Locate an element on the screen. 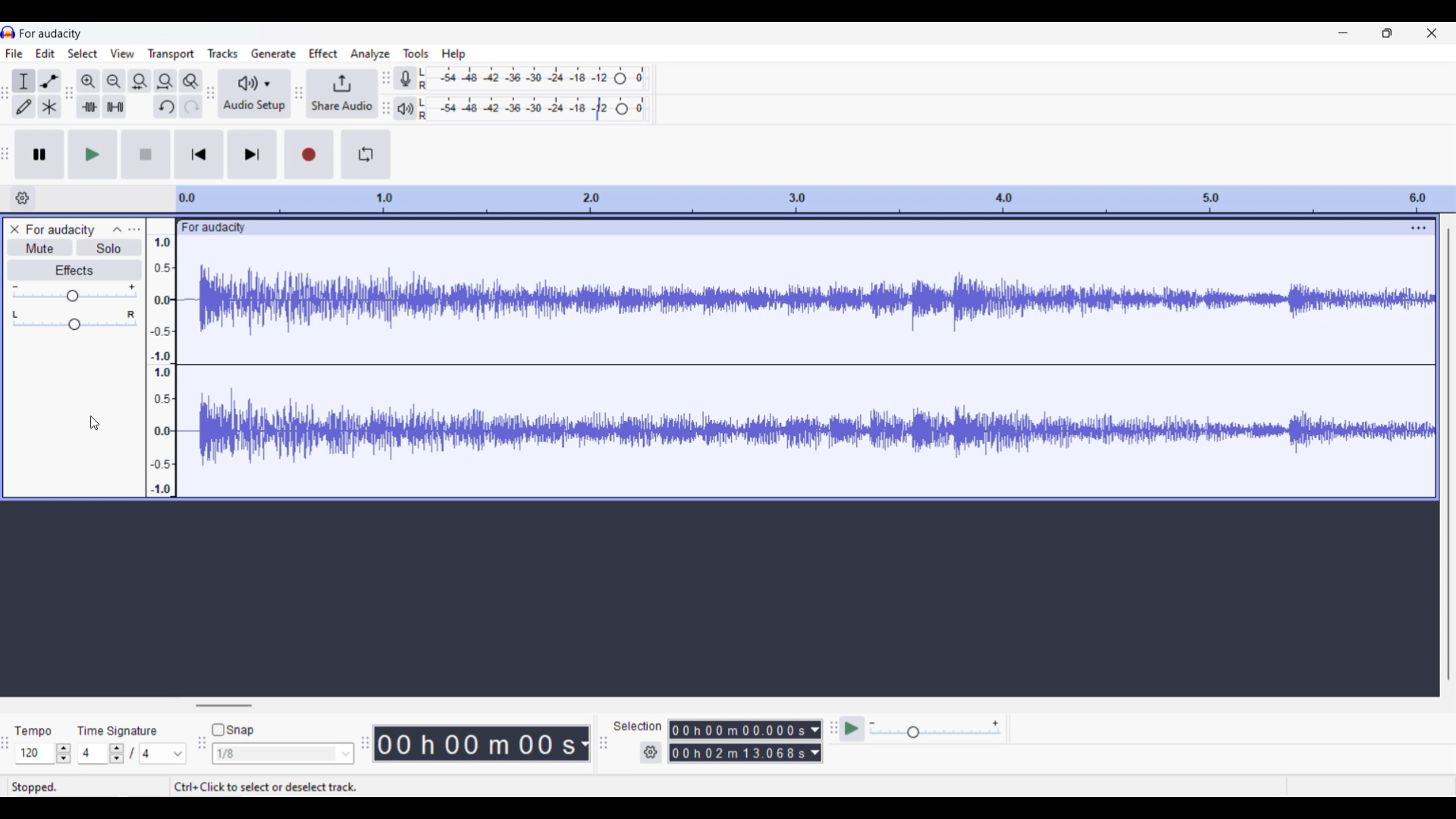  Play/Play once is located at coordinates (93, 155).